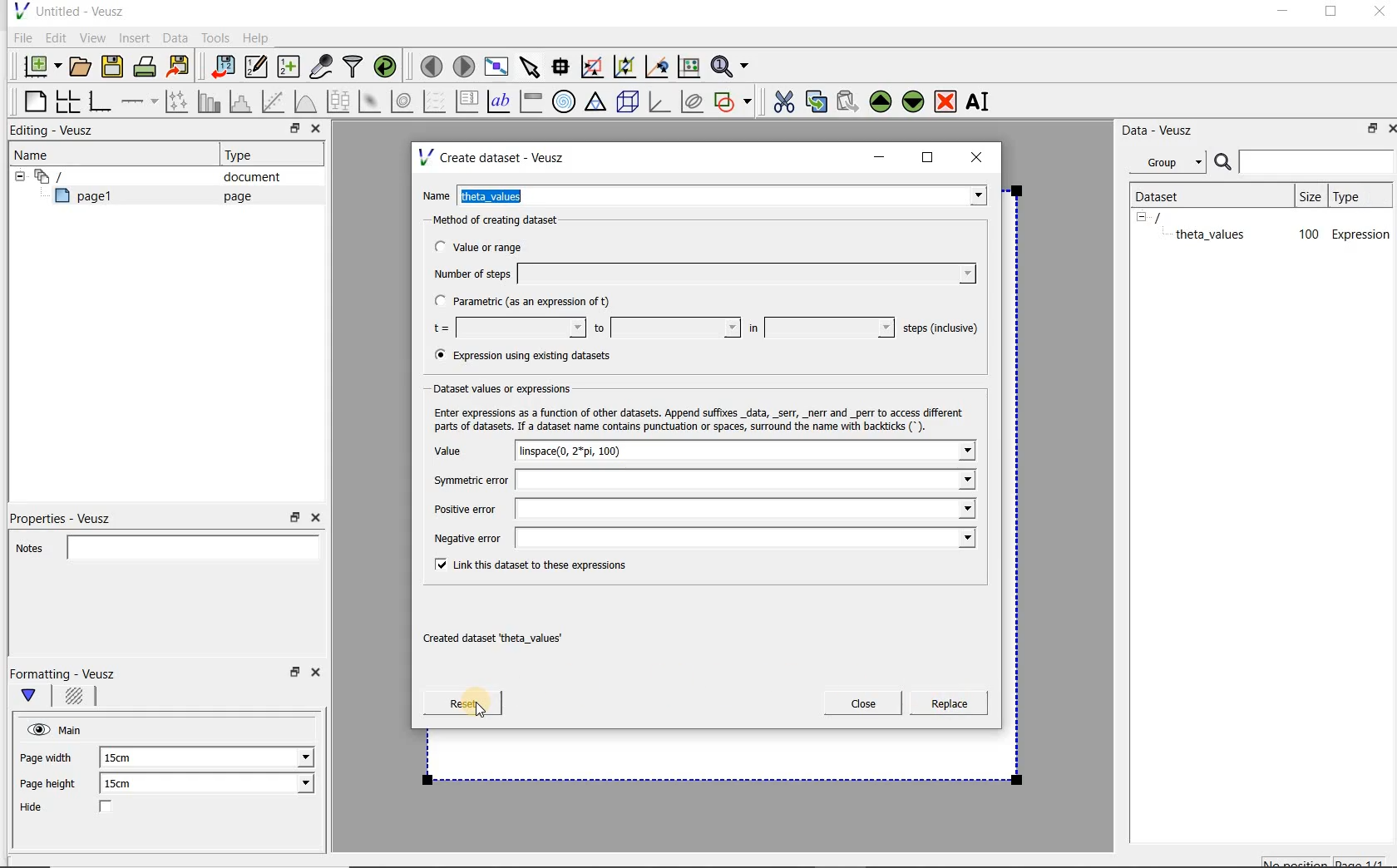 Image resolution: width=1397 pixels, height=868 pixels. I want to click on steps (inclusive), so click(941, 329).